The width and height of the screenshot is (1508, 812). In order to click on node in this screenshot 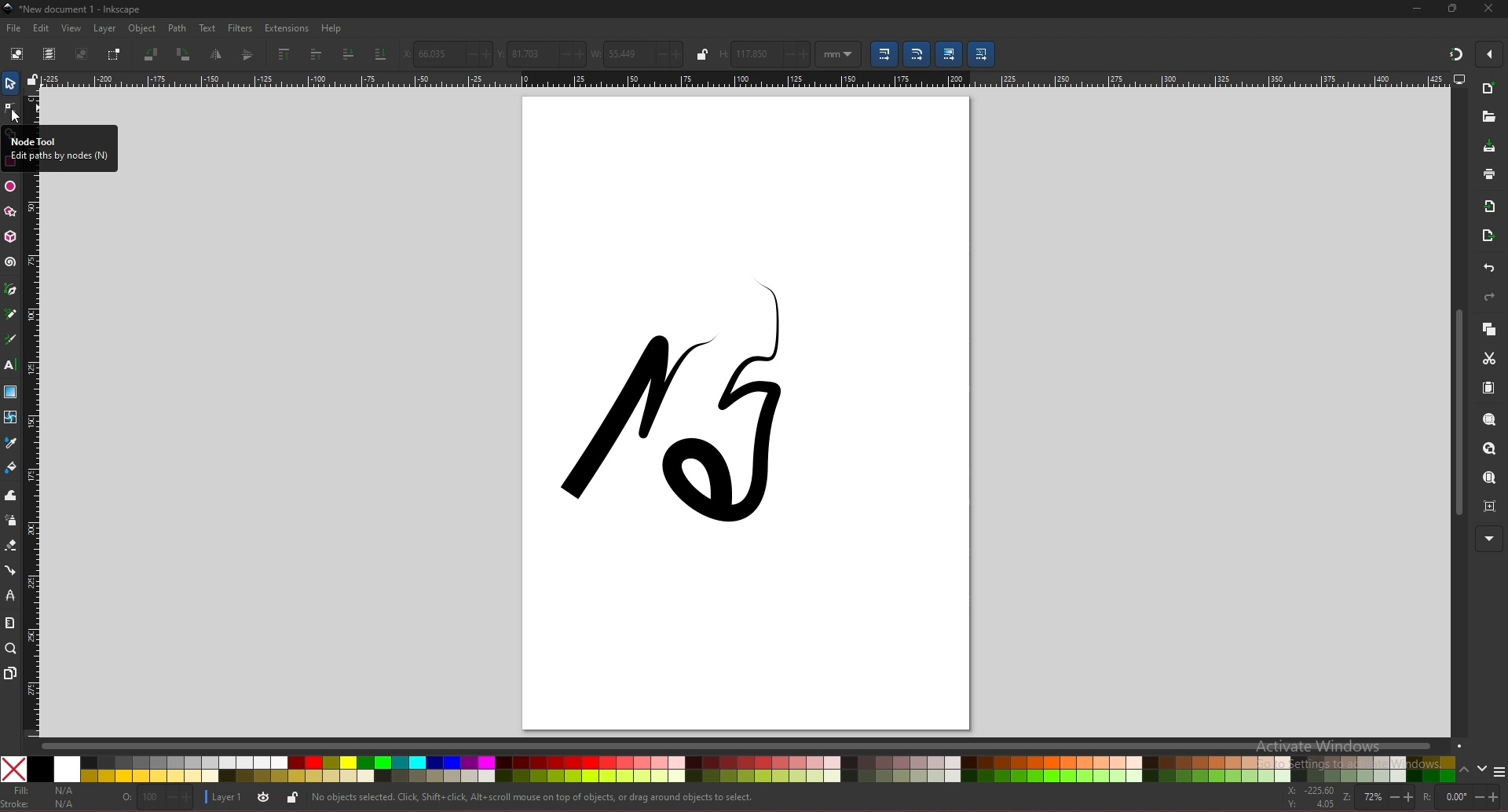, I will do `click(9, 108)`.